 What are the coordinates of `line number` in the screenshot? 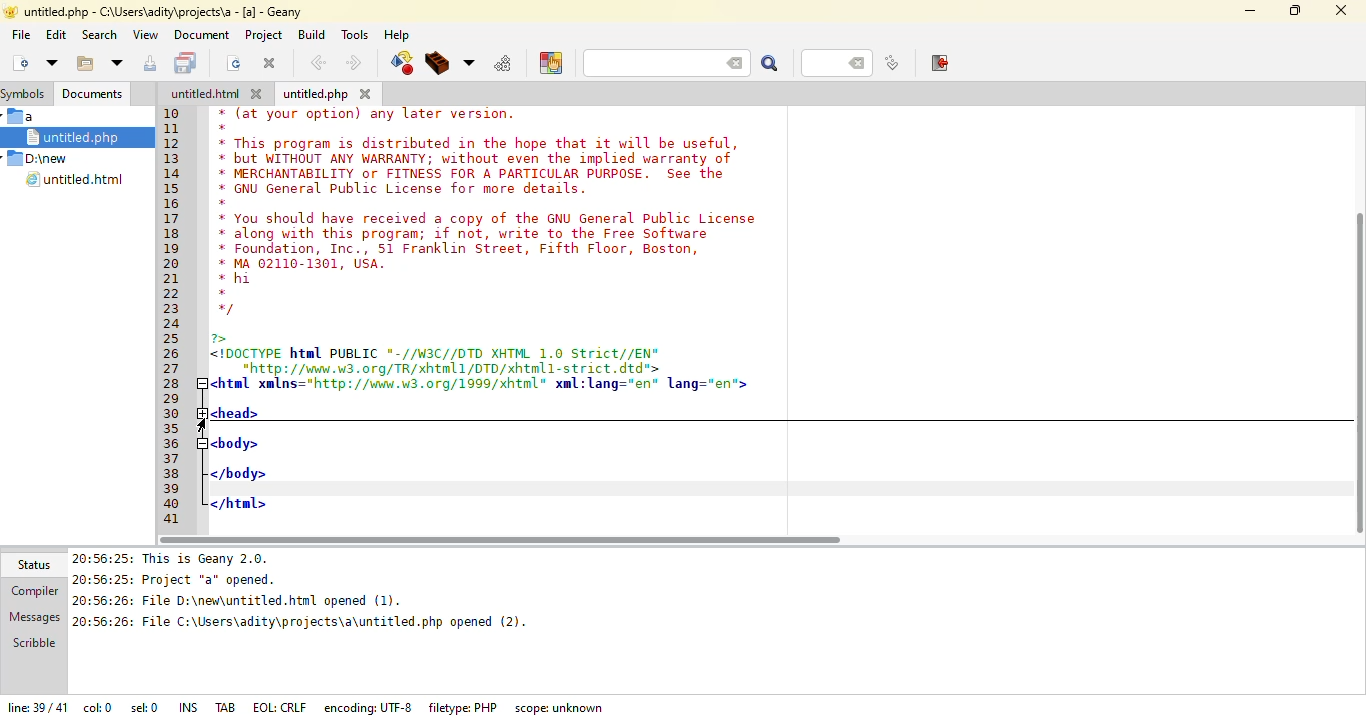 It's located at (821, 64).